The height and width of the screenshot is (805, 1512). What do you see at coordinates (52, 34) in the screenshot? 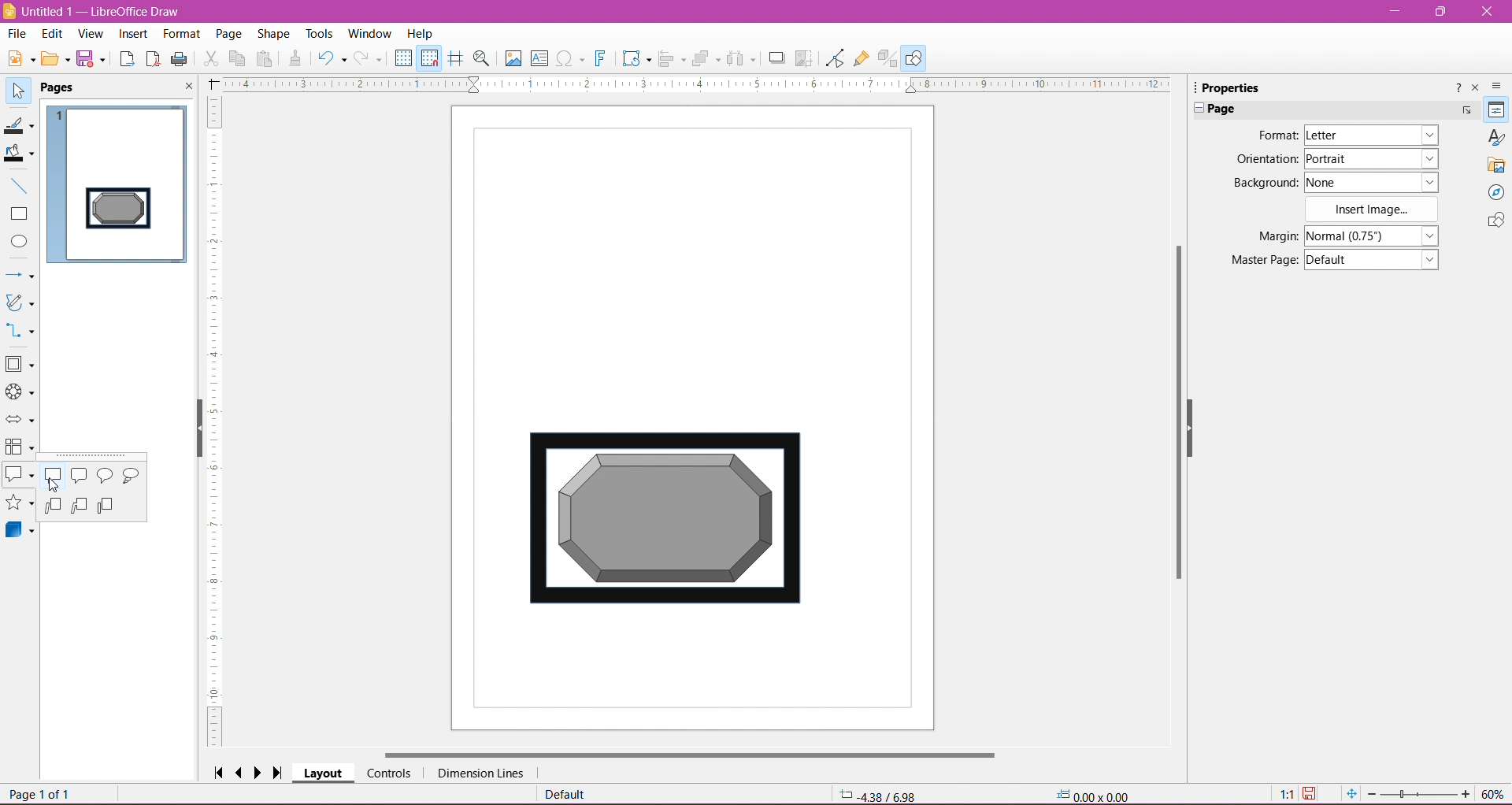
I see `Edit` at bounding box center [52, 34].